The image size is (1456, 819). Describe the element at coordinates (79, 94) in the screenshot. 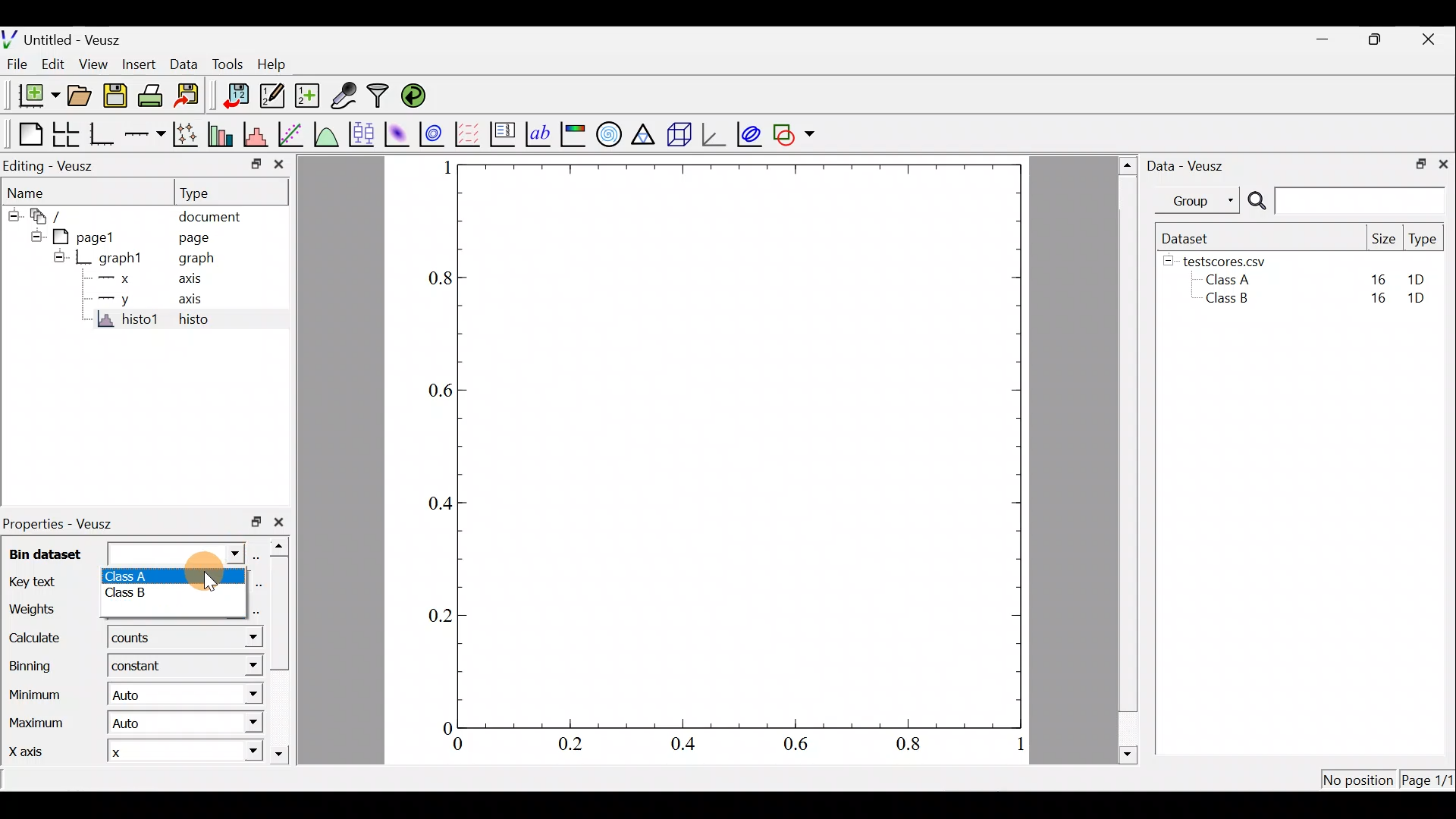

I see `Open a document` at that location.